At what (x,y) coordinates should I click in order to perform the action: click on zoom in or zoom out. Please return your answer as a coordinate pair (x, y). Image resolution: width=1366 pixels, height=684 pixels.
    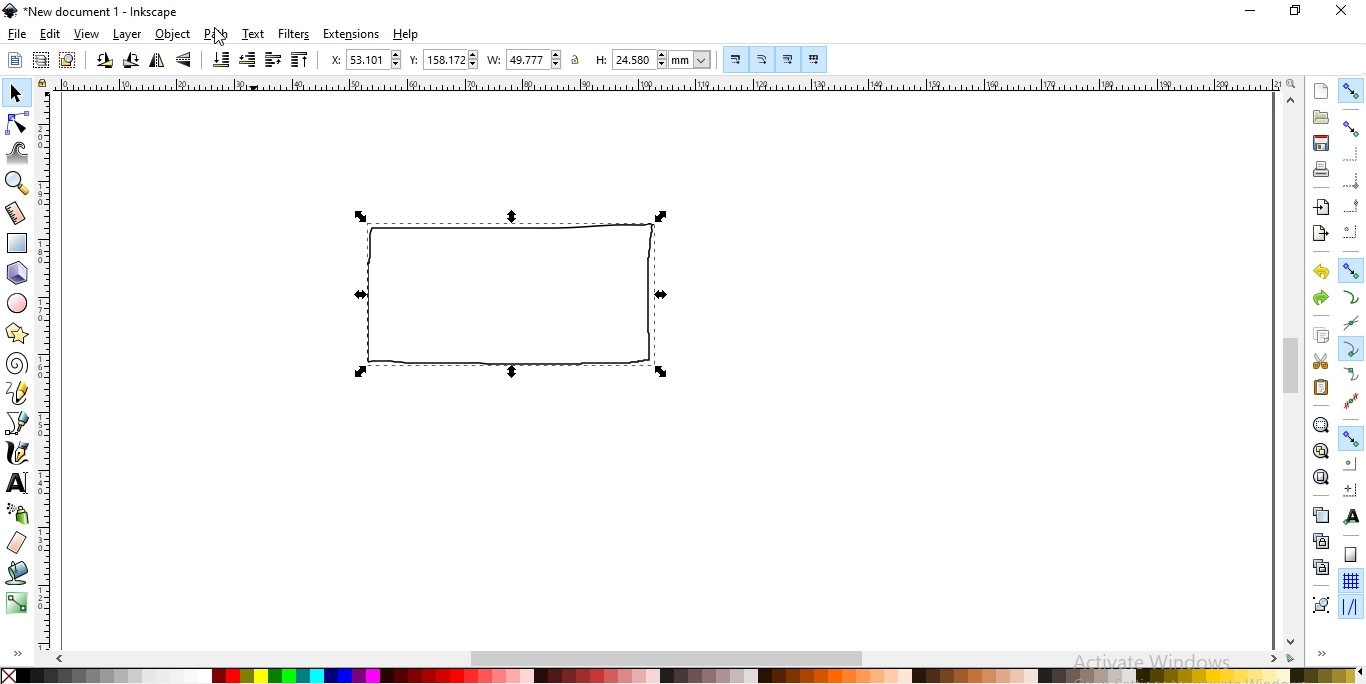
    Looking at the image, I should click on (16, 184).